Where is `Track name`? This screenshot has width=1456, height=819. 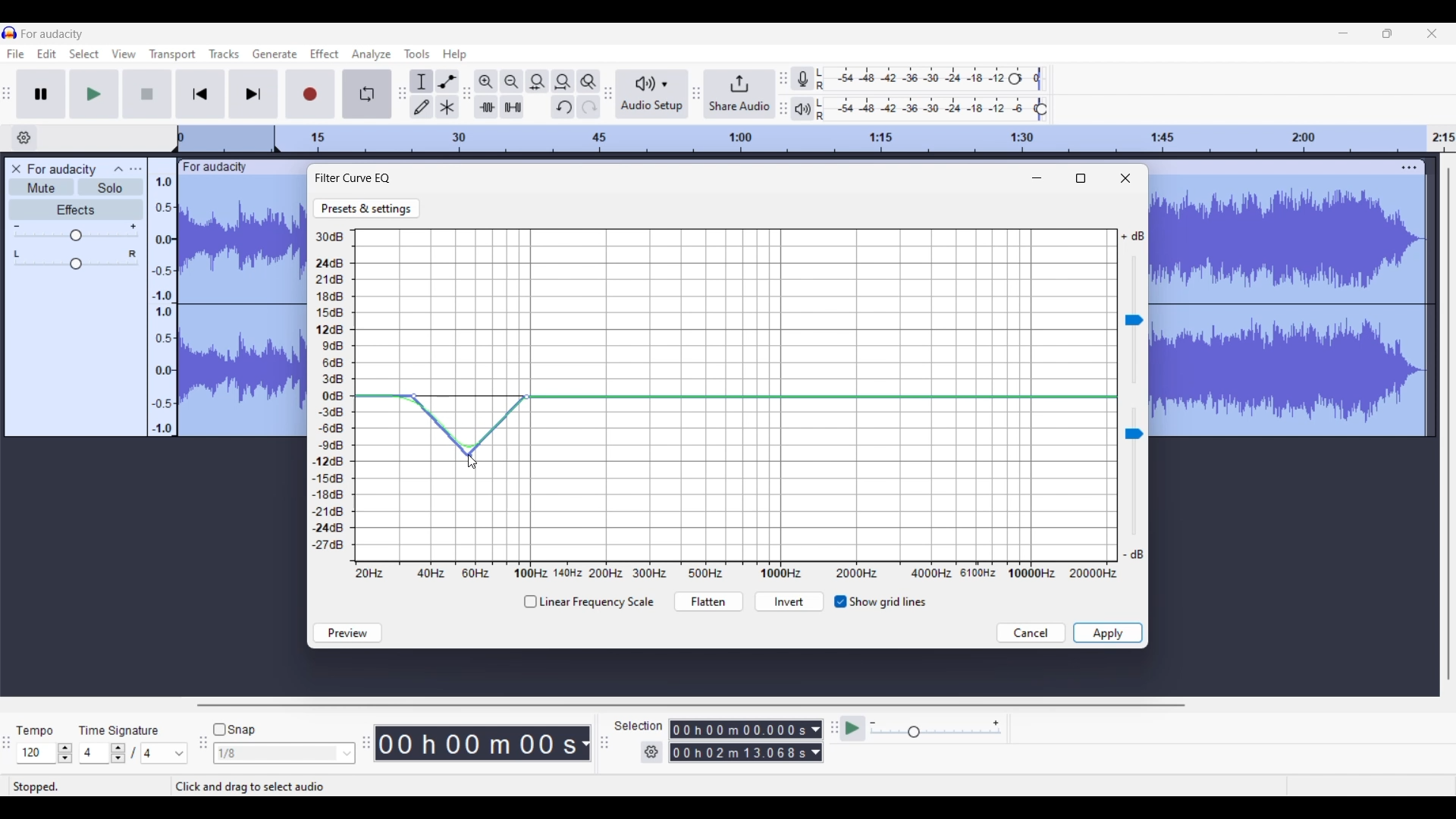 Track name is located at coordinates (215, 168).